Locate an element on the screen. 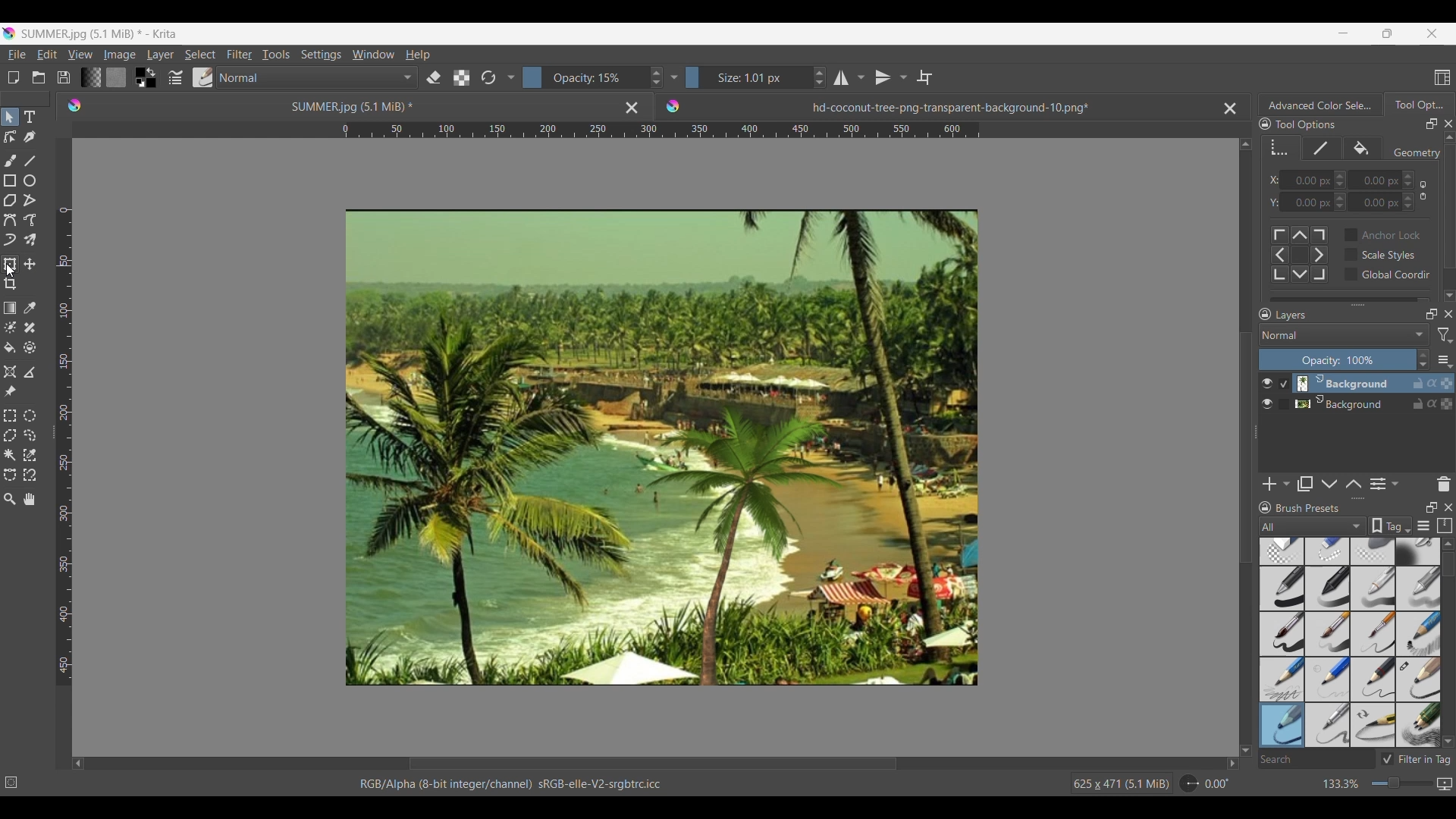 The height and width of the screenshot is (819, 1456). Search brush manually is located at coordinates (1316, 759).